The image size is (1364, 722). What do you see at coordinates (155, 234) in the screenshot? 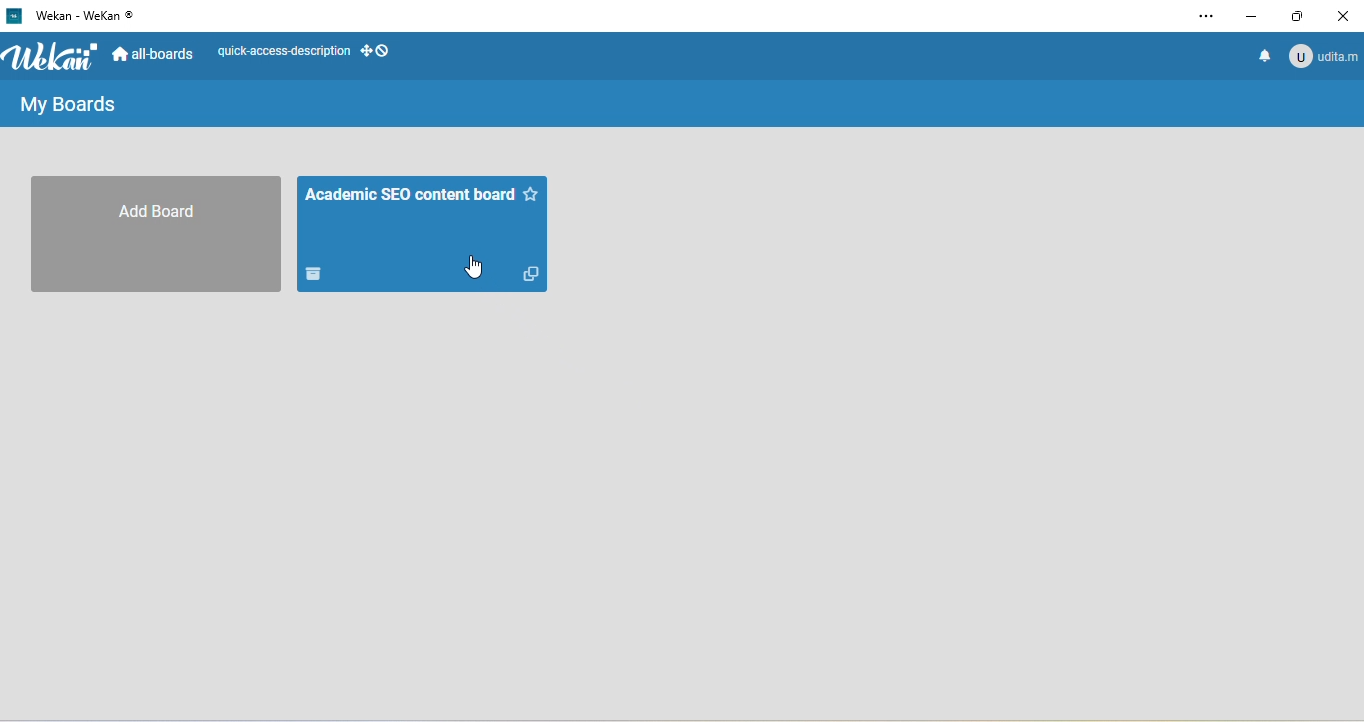
I see `add board` at bounding box center [155, 234].